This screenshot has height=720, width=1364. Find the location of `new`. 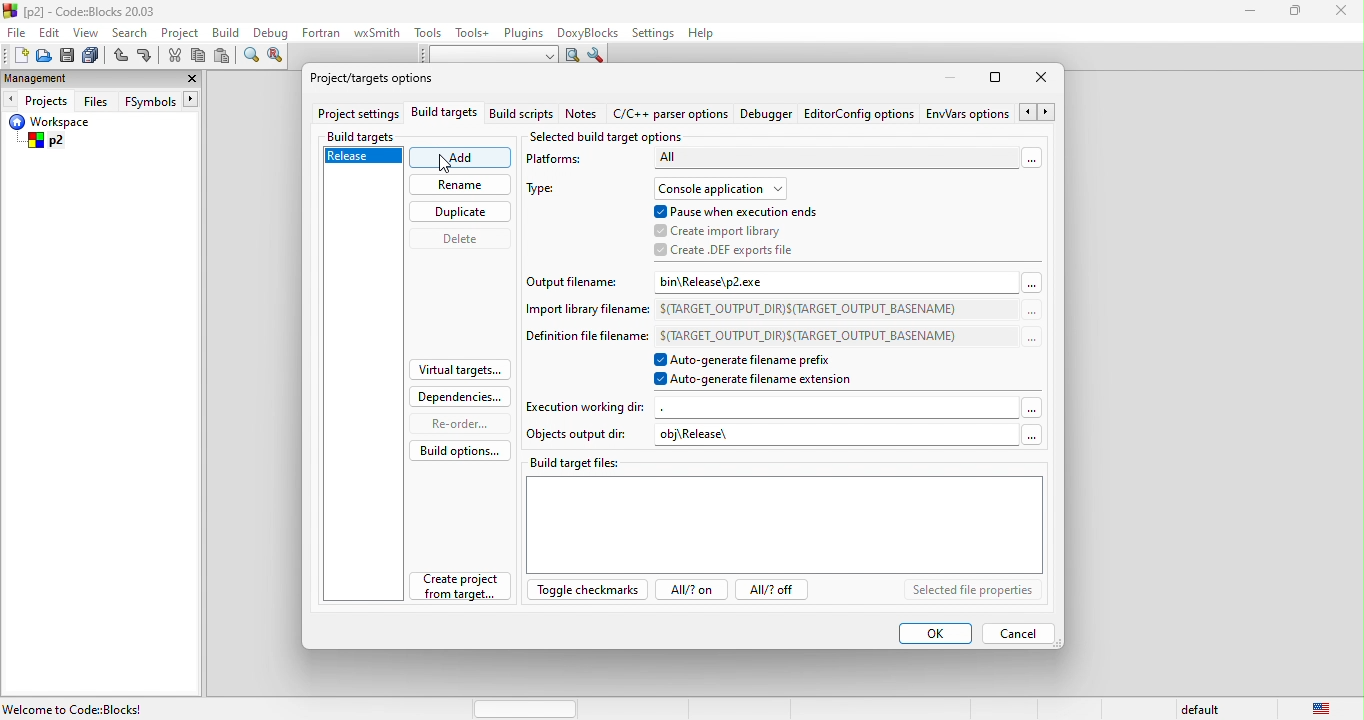

new is located at coordinates (15, 55).